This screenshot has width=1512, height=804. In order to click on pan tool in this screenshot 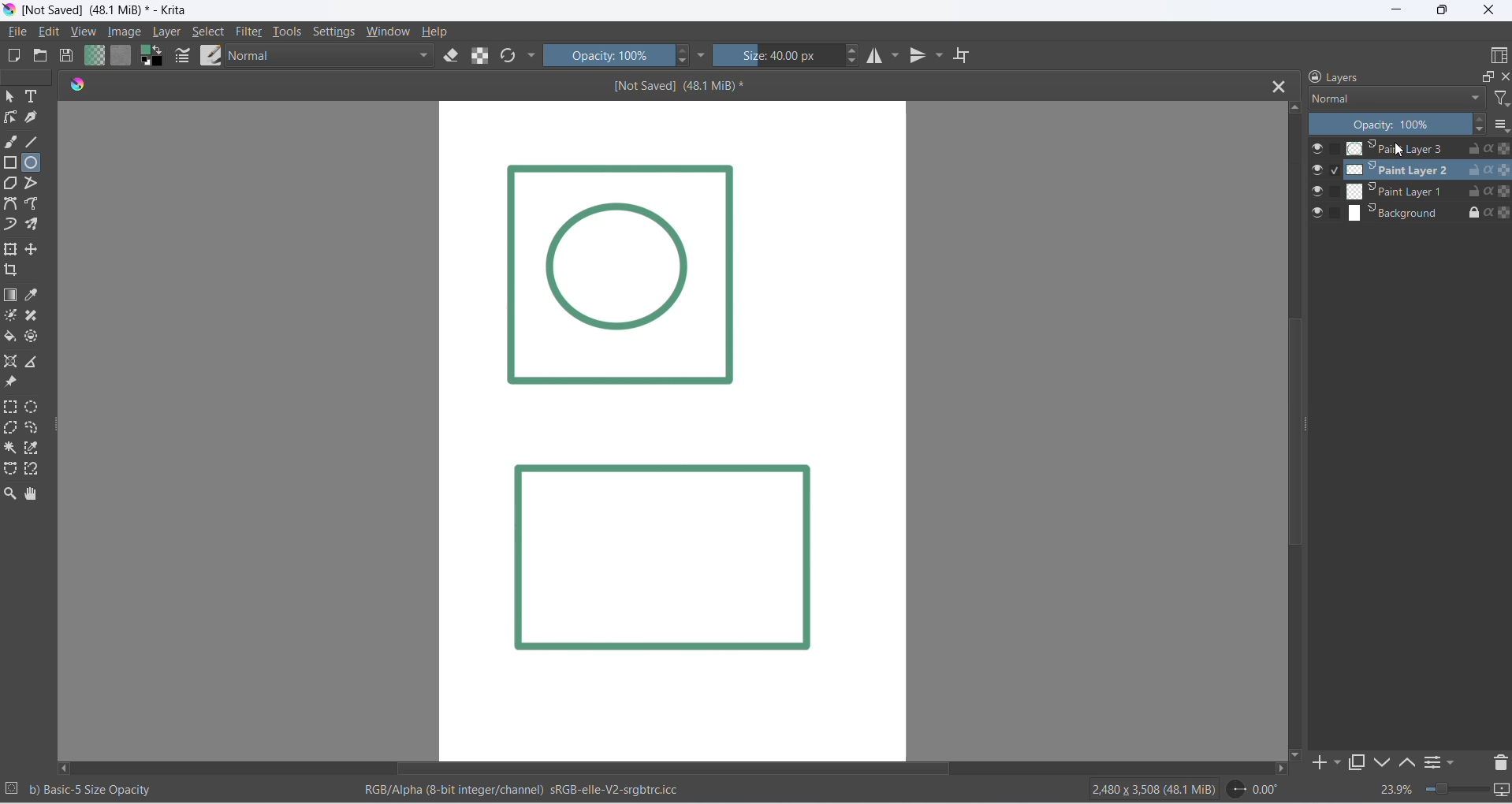, I will do `click(35, 494)`.